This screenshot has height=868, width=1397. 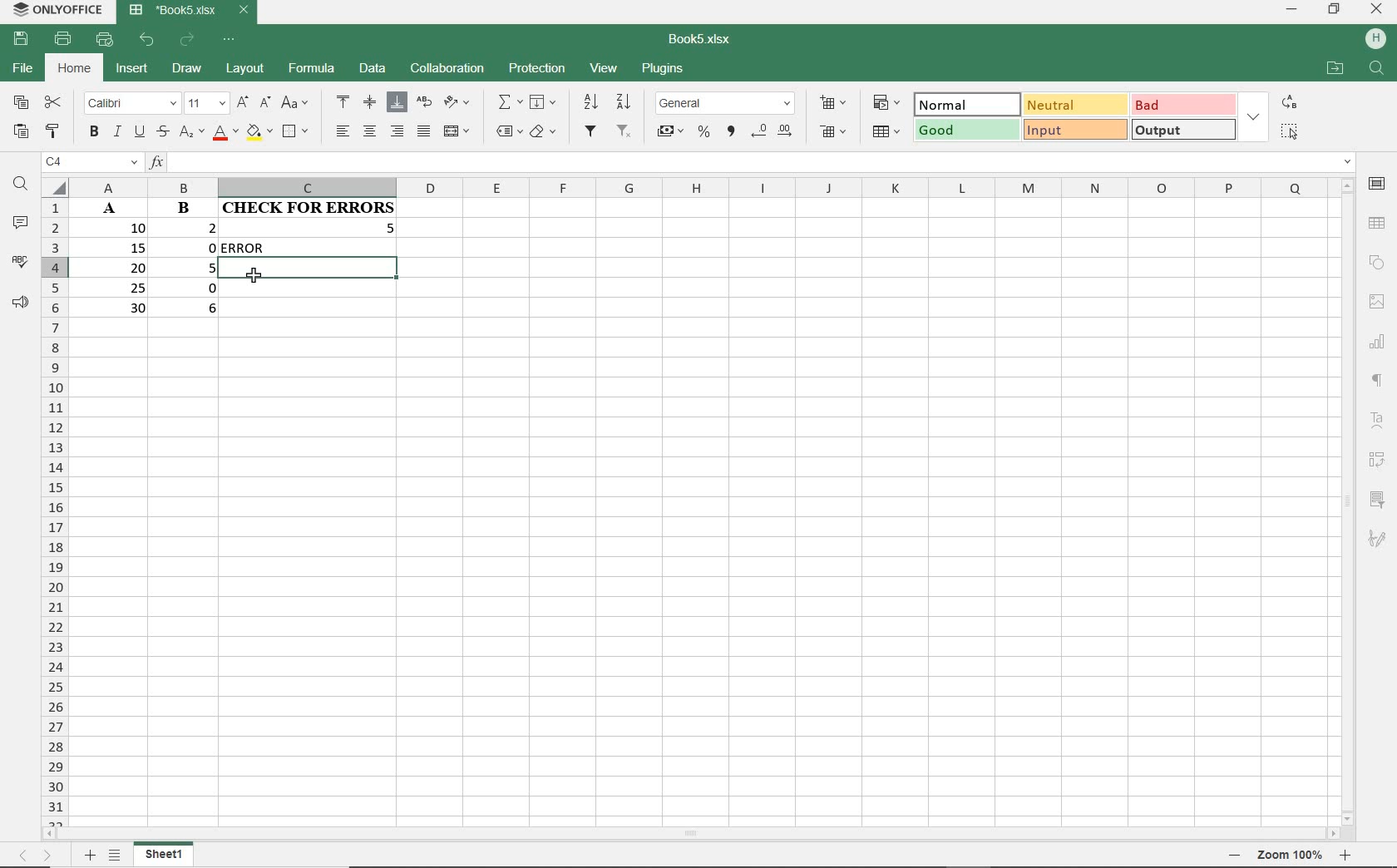 What do you see at coordinates (259, 134) in the screenshot?
I see `FILL COLOR` at bounding box center [259, 134].